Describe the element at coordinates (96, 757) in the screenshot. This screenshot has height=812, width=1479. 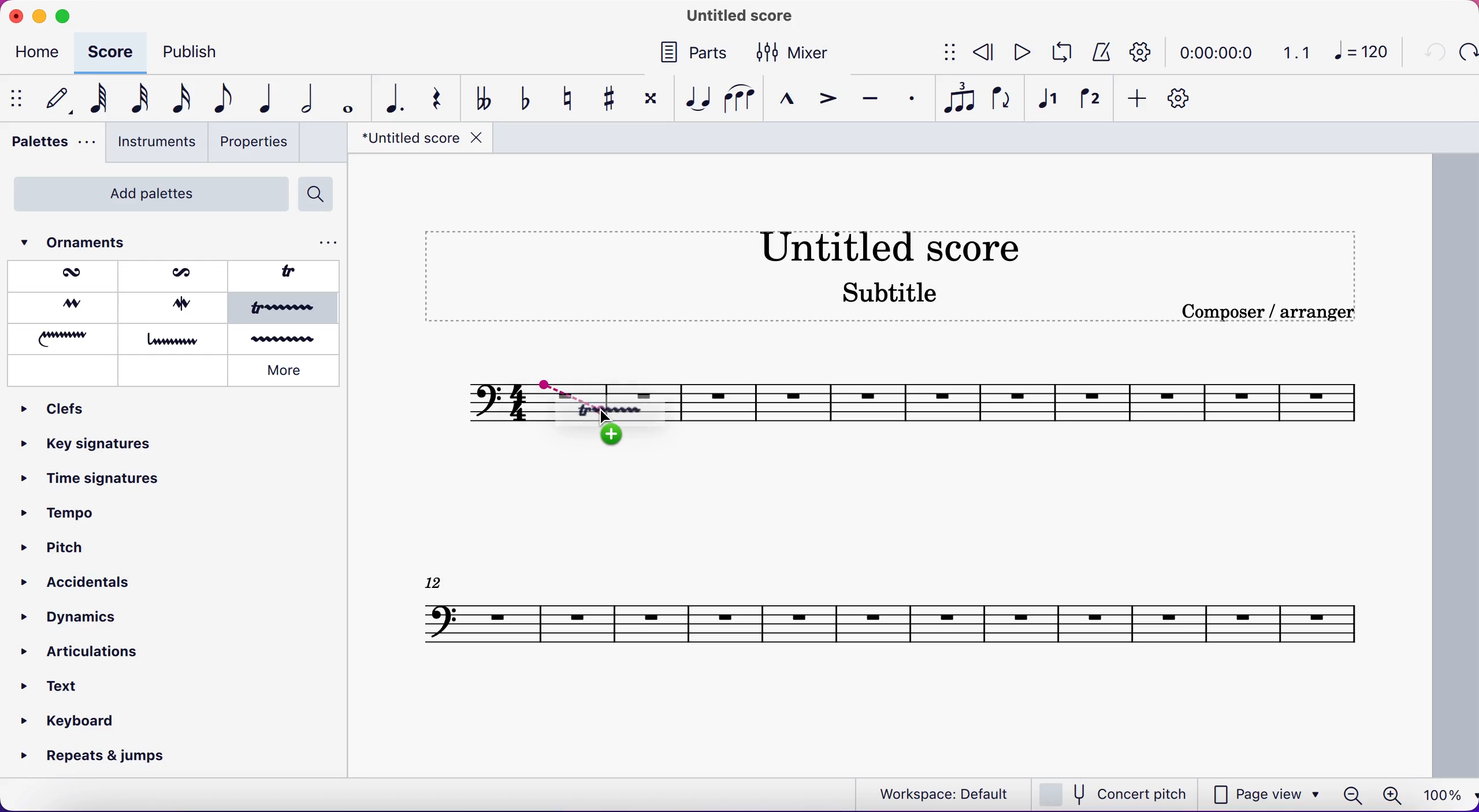
I see `repeats and jumps` at that location.